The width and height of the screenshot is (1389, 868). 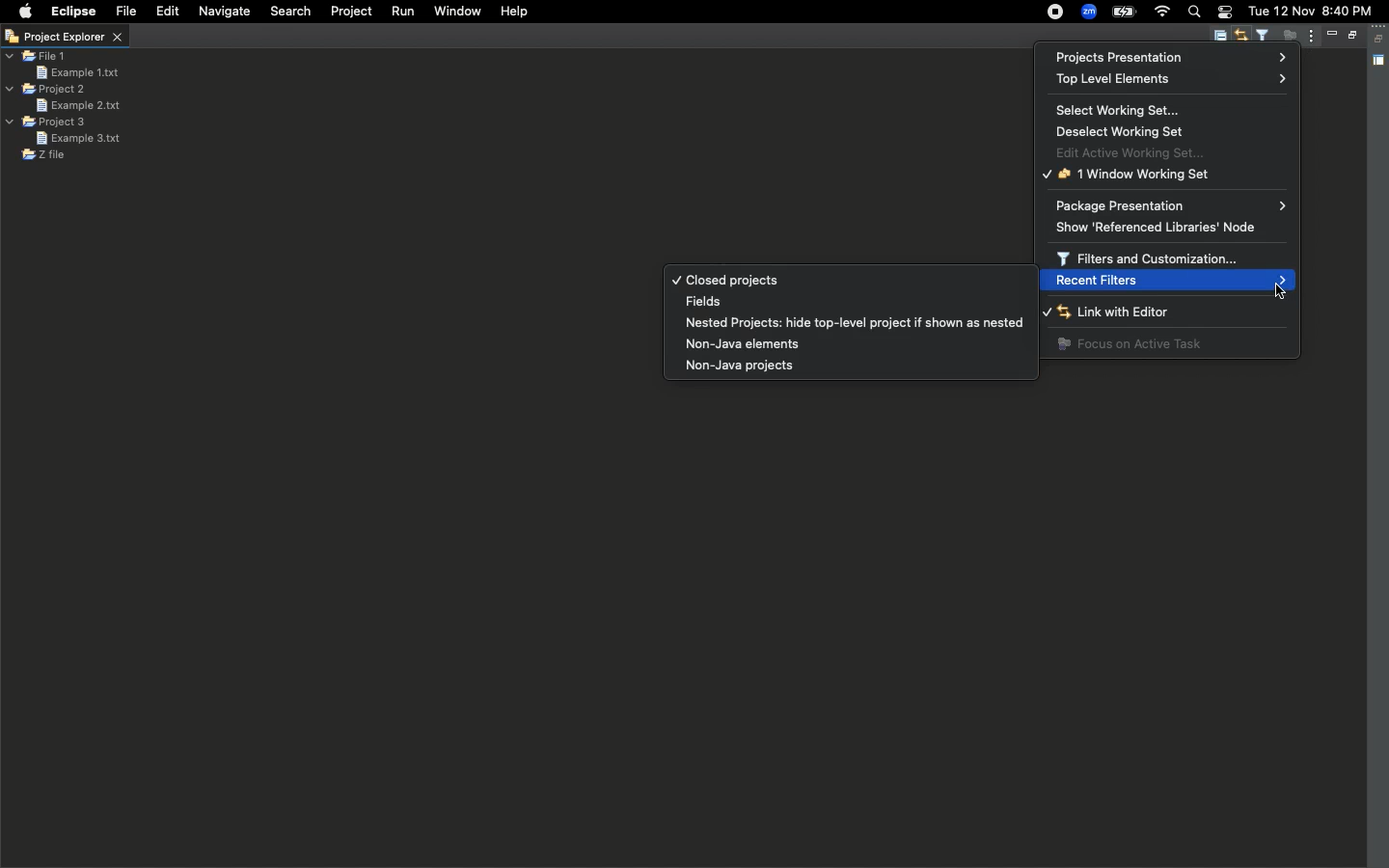 I want to click on Collapse all, so click(x=1219, y=38).